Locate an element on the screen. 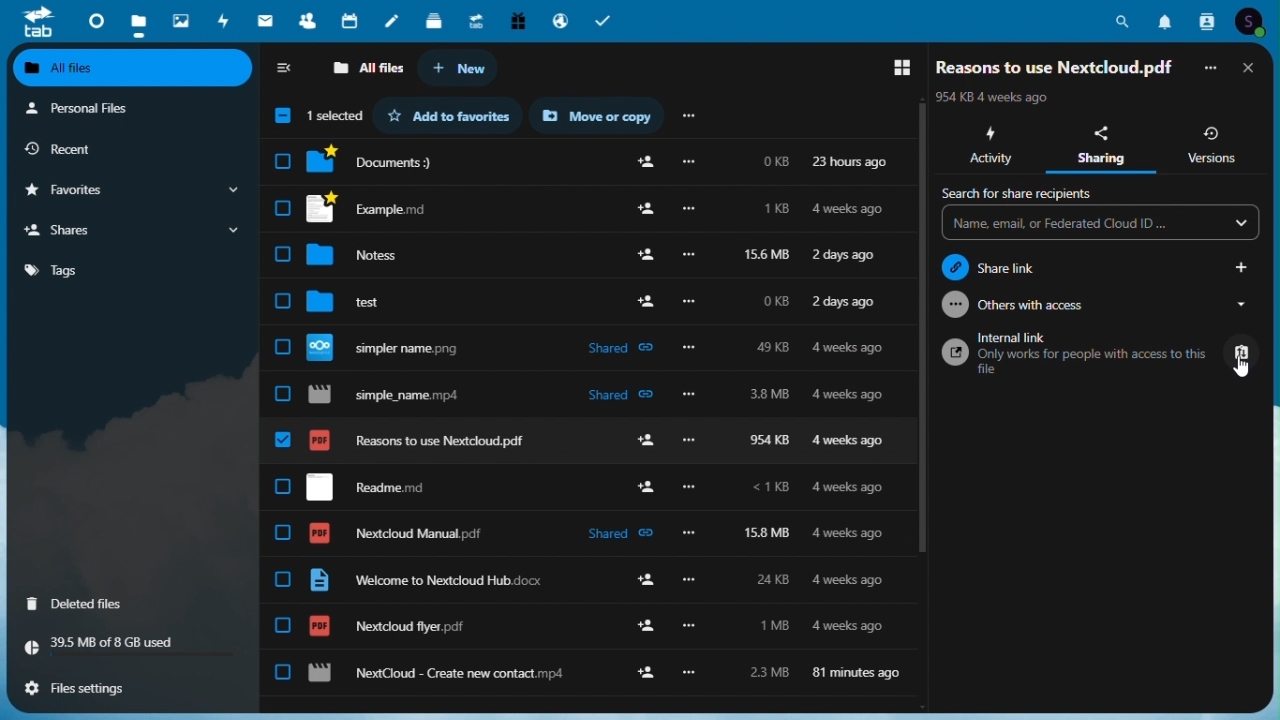  favorites is located at coordinates (447, 115).